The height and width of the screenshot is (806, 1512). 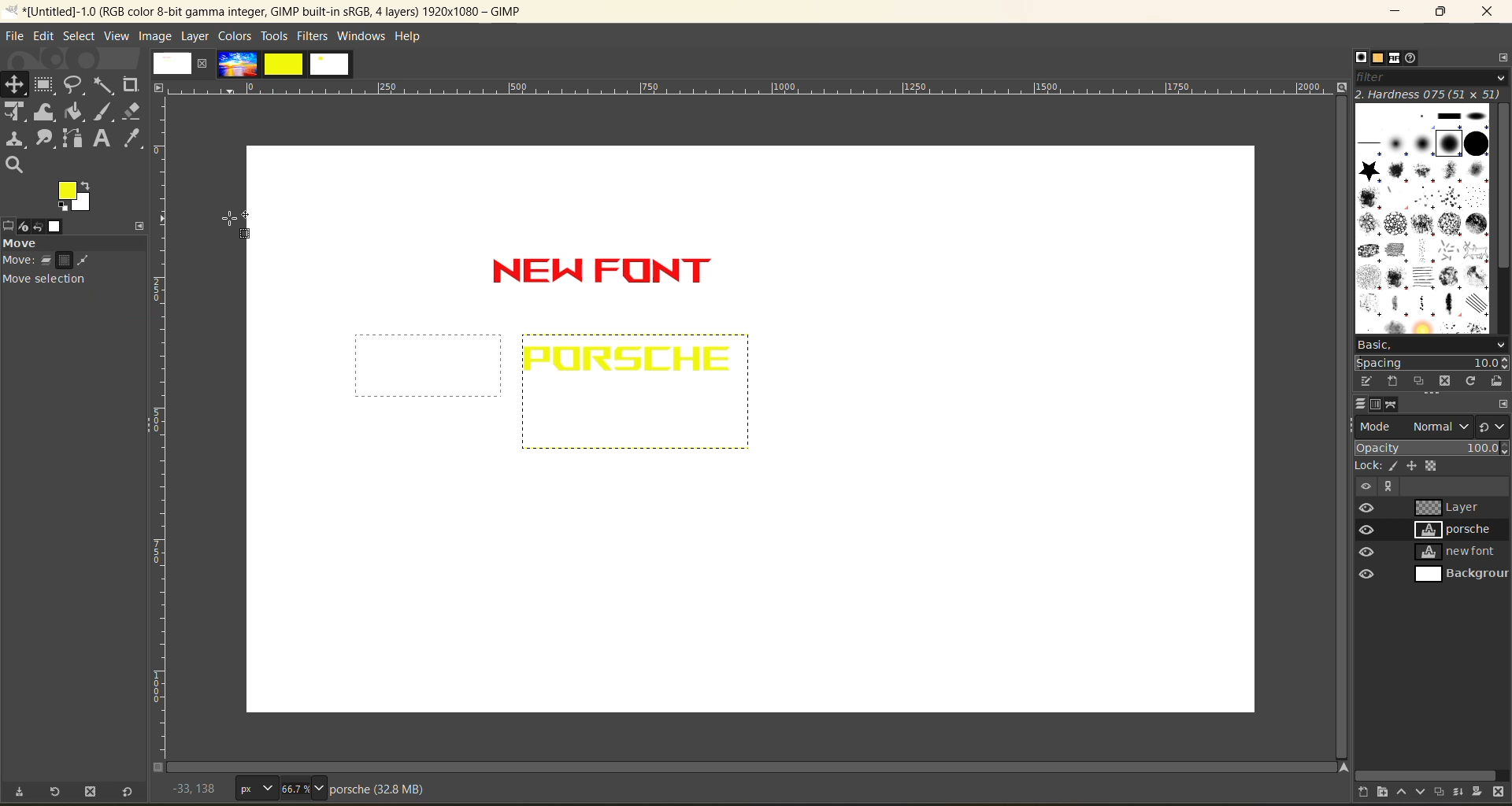 What do you see at coordinates (131, 85) in the screenshot?
I see `crope` at bounding box center [131, 85].